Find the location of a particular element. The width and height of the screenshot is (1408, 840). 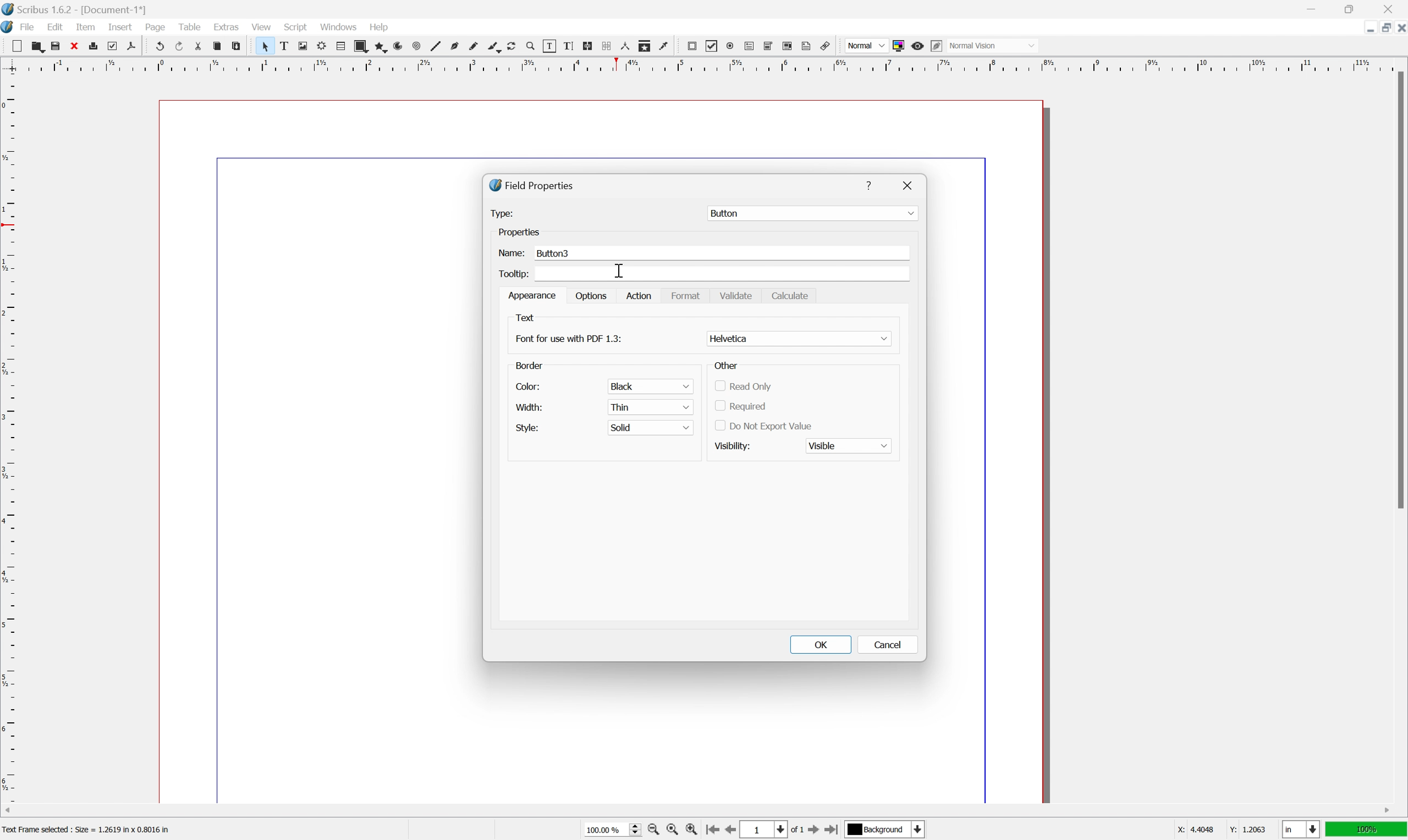

pdf radio button is located at coordinates (730, 46).